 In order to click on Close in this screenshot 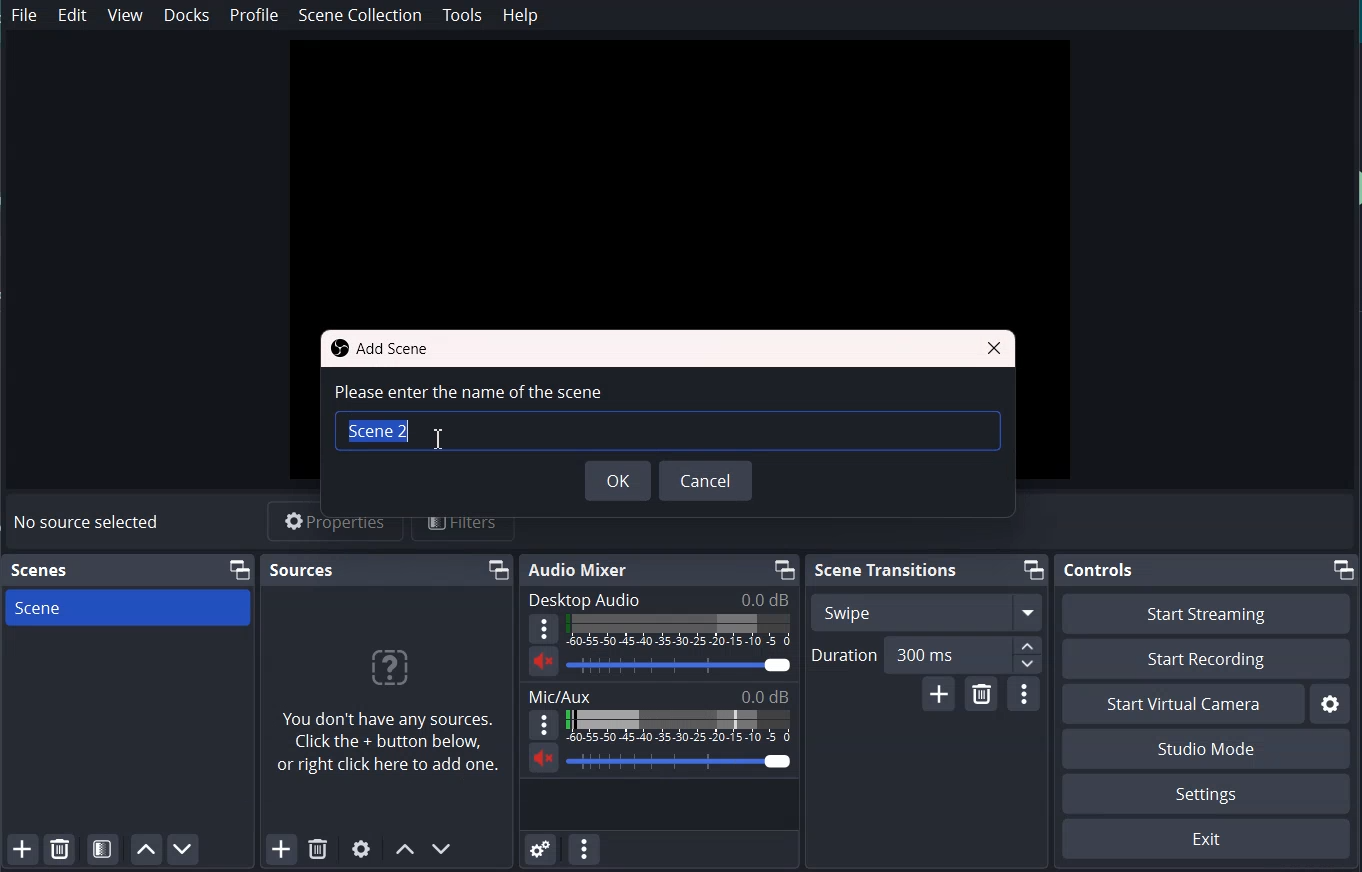, I will do `click(997, 349)`.